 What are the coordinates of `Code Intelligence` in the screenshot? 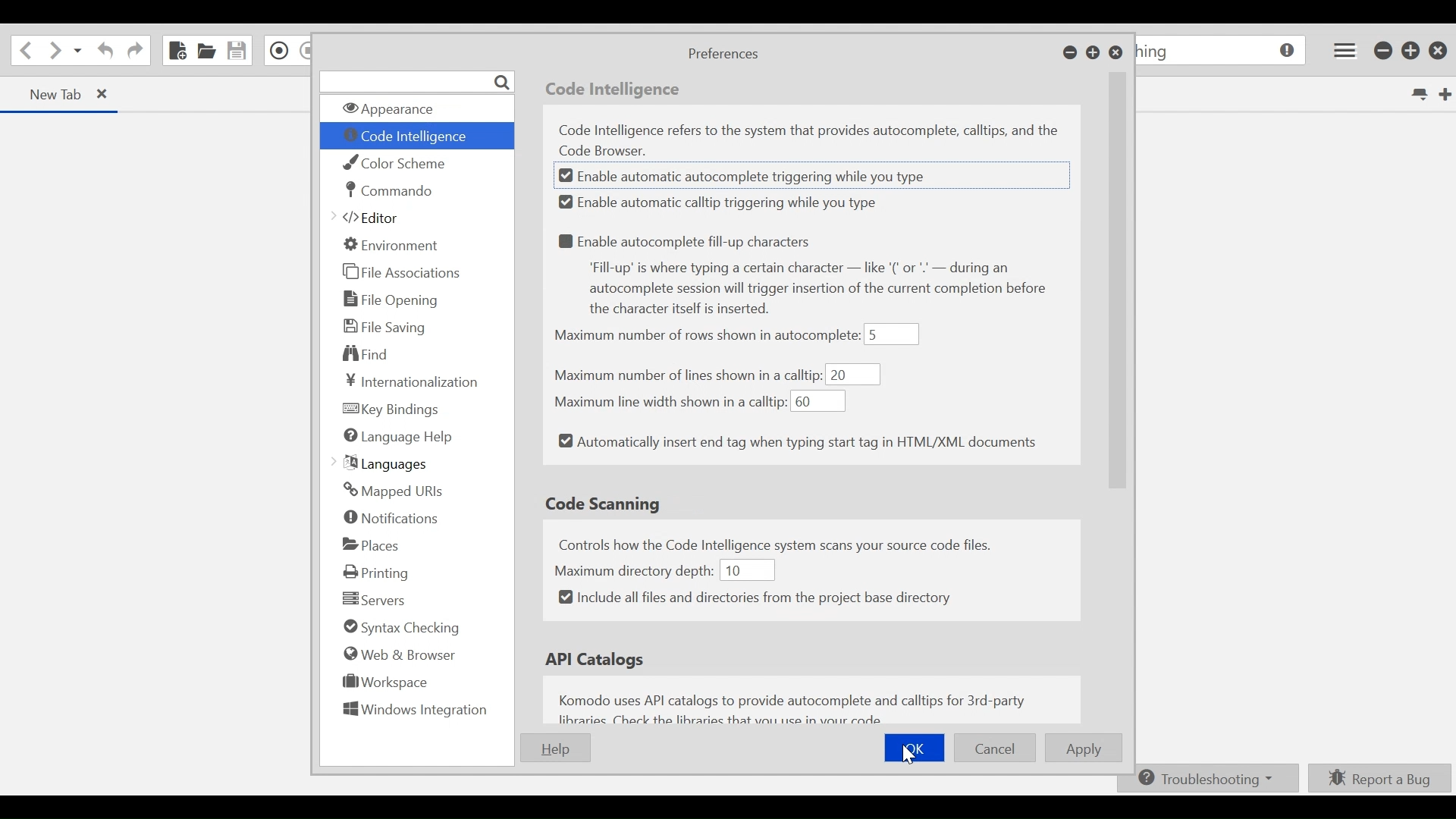 It's located at (616, 91).